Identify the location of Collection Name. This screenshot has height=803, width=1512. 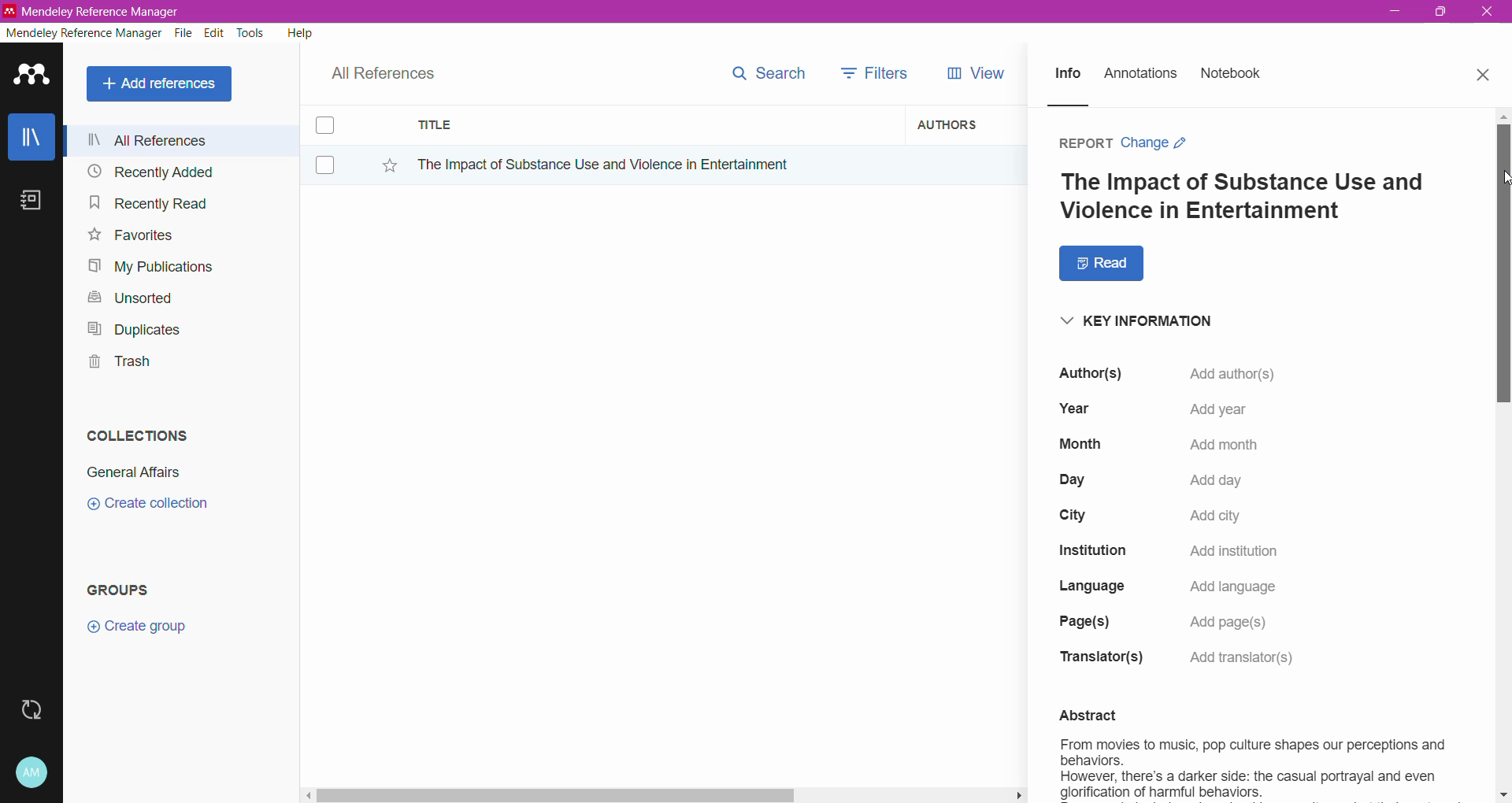
(131, 472).